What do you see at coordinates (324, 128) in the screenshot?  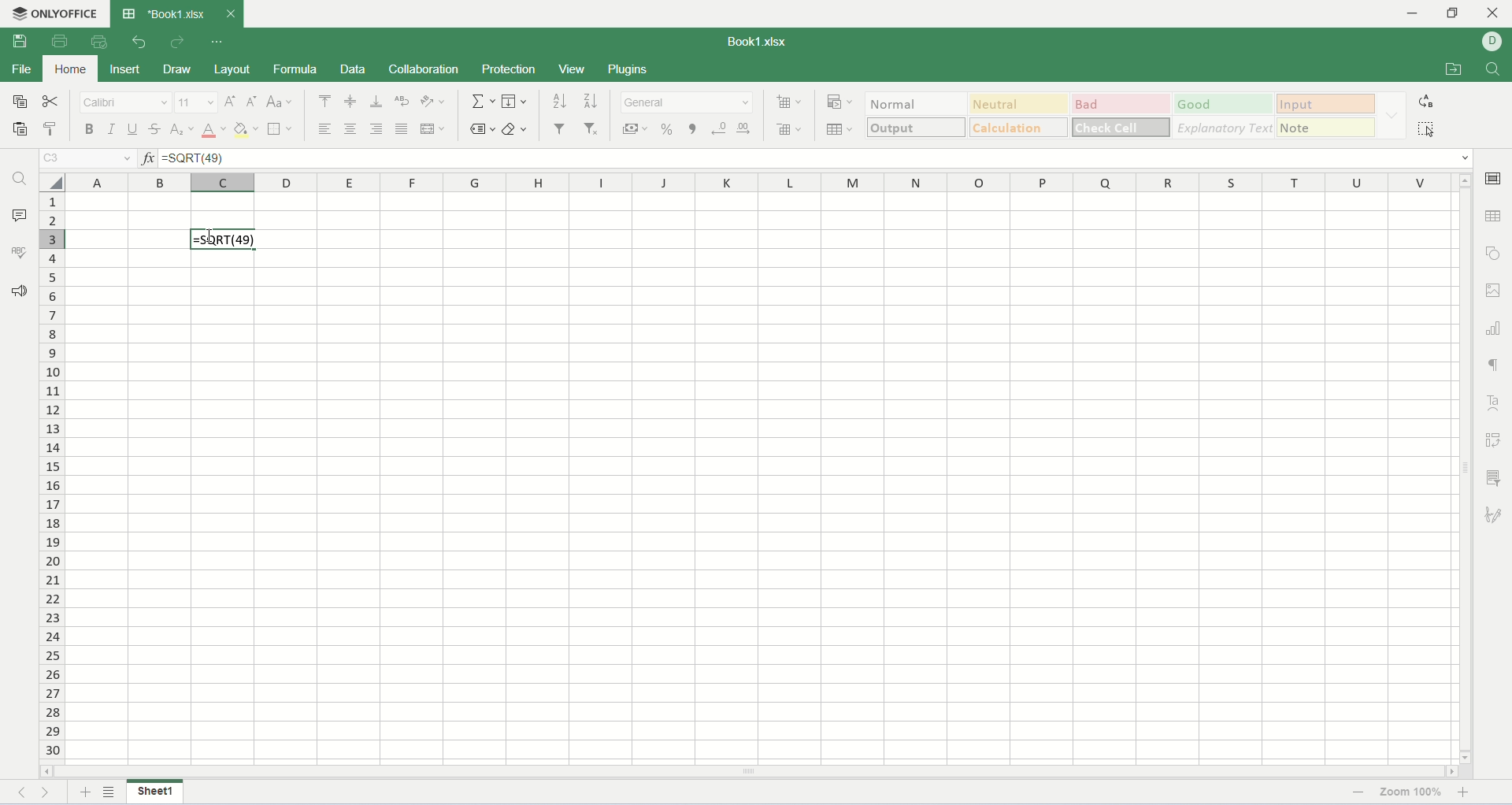 I see `align left` at bounding box center [324, 128].